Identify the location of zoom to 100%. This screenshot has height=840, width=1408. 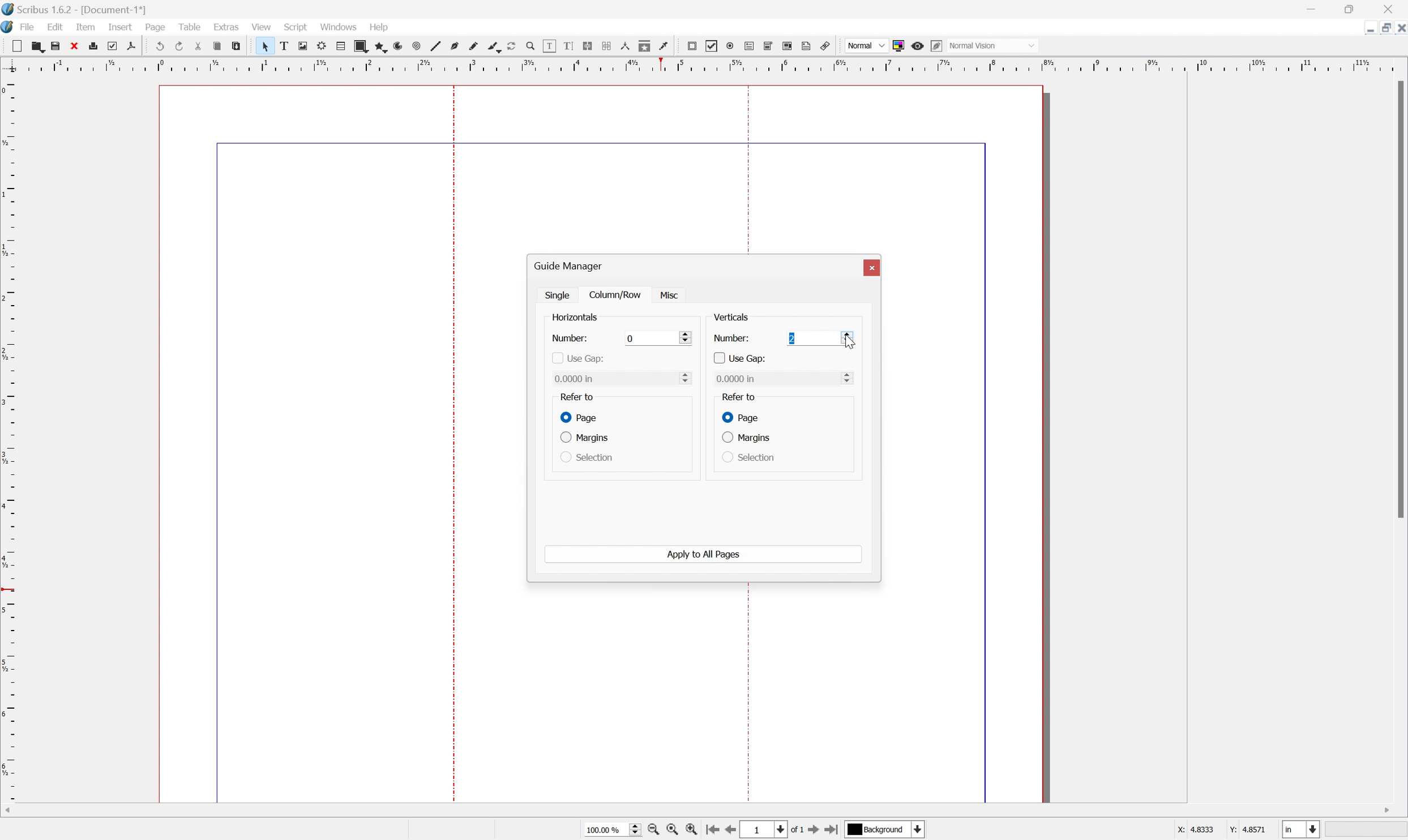
(652, 830).